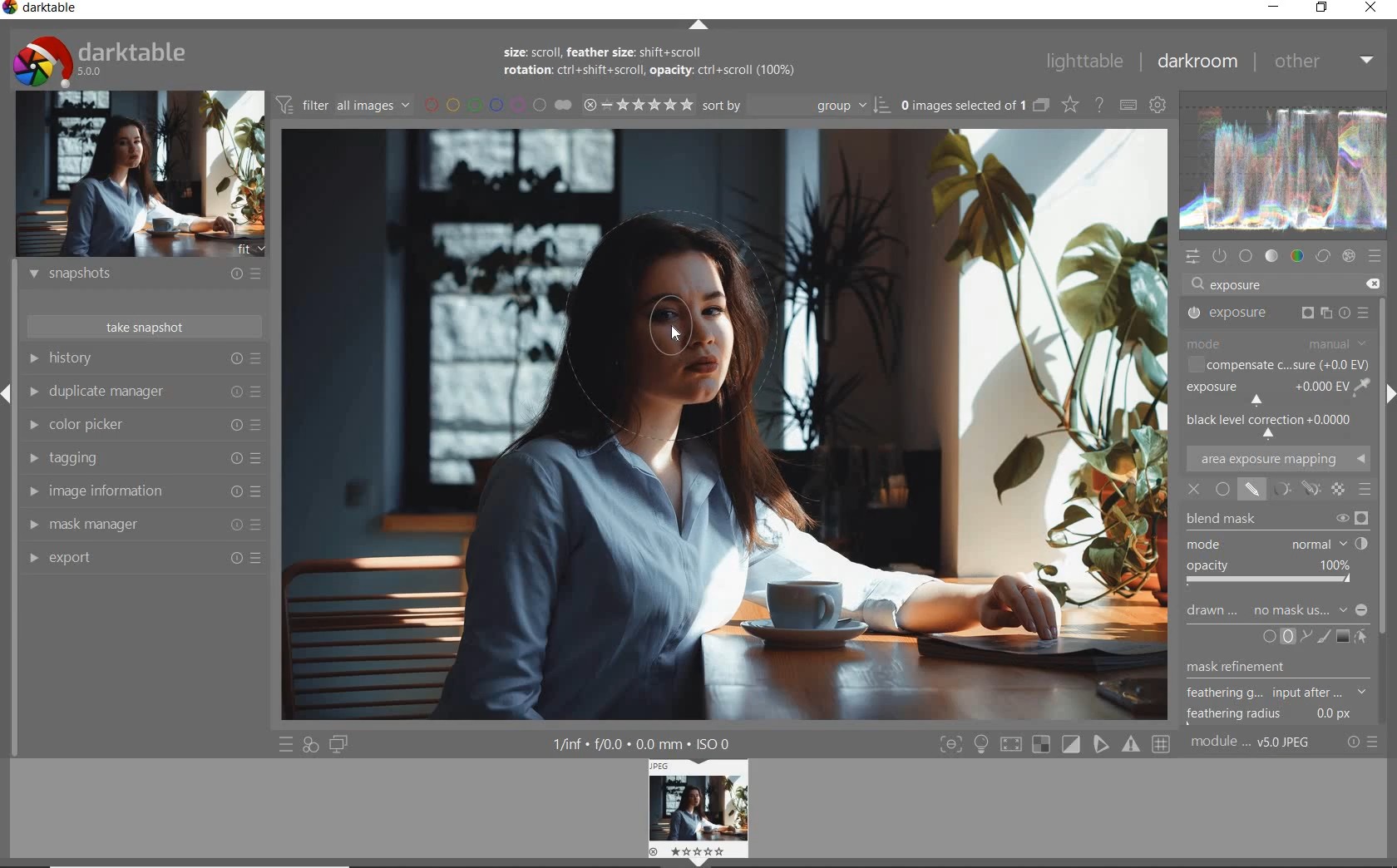 The image size is (1397, 868). What do you see at coordinates (146, 459) in the screenshot?
I see `tagging` at bounding box center [146, 459].